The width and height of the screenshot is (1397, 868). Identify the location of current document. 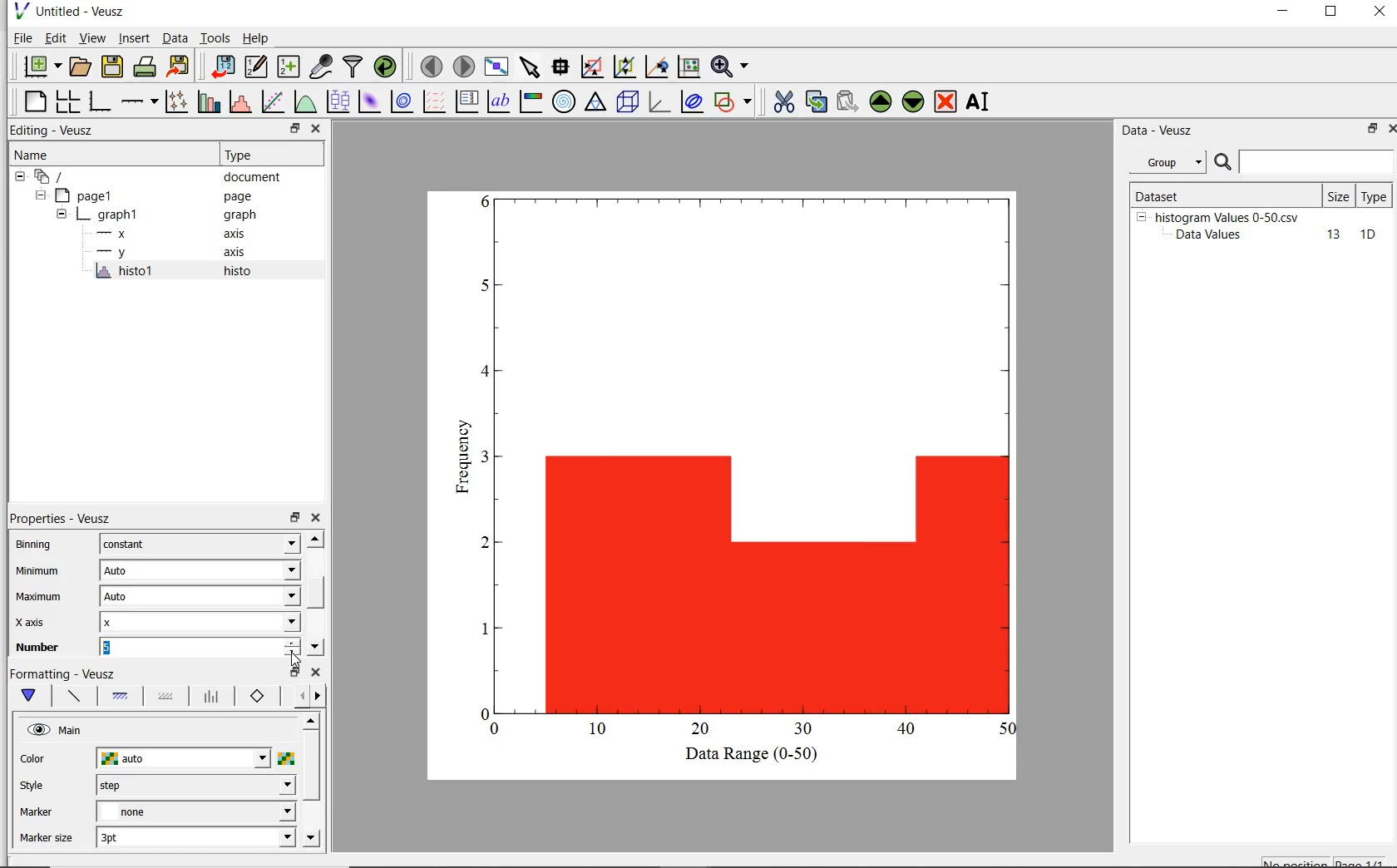
(52, 177).